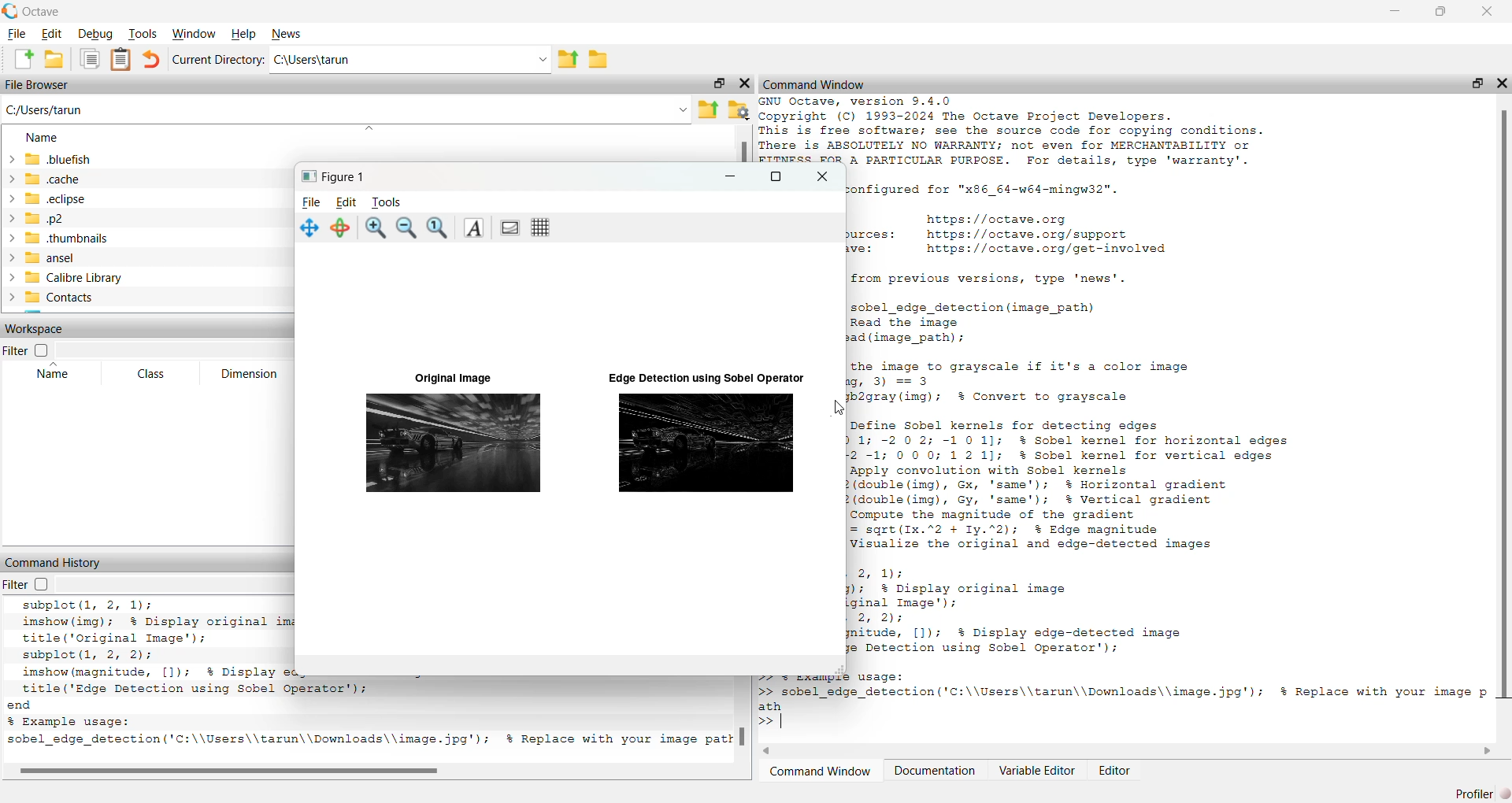 Image resolution: width=1512 pixels, height=803 pixels. What do you see at coordinates (39, 85) in the screenshot?
I see `File Browser` at bounding box center [39, 85].